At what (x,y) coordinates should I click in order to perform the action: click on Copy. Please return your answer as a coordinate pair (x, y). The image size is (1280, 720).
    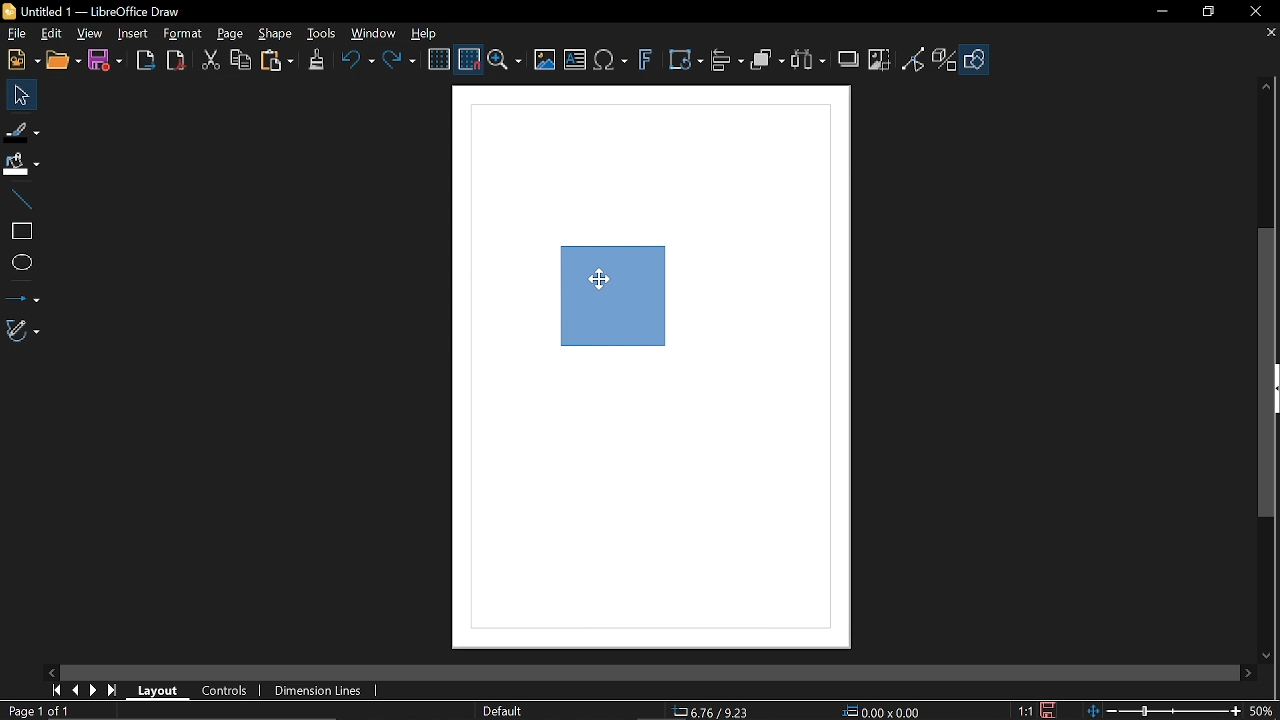
    Looking at the image, I should click on (241, 61).